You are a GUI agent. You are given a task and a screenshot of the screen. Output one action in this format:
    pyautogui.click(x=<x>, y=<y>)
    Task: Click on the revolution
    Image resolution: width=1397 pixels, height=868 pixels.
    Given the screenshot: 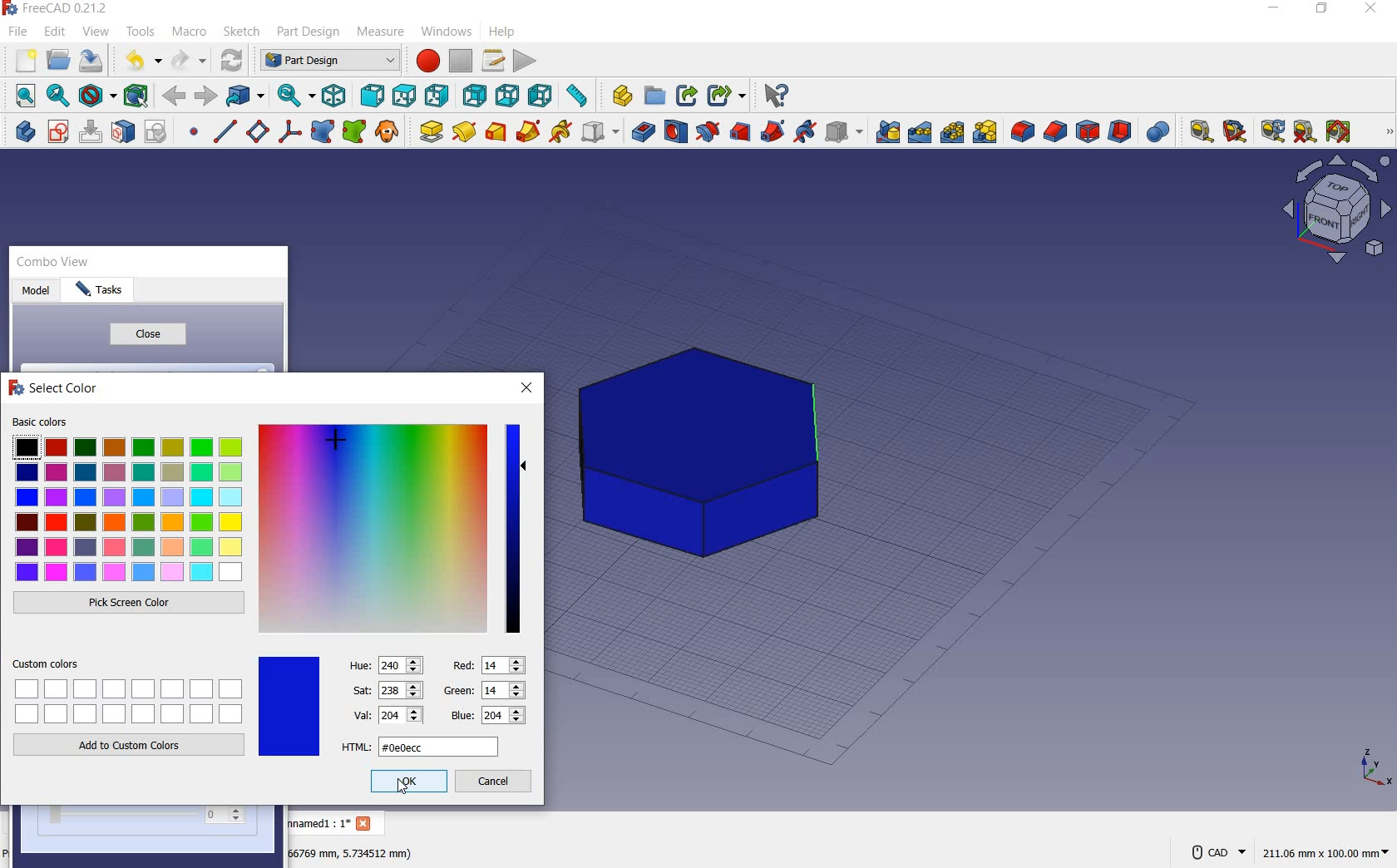 What is the action you would take?
    pyautogui.click(x=464, y=131)
    